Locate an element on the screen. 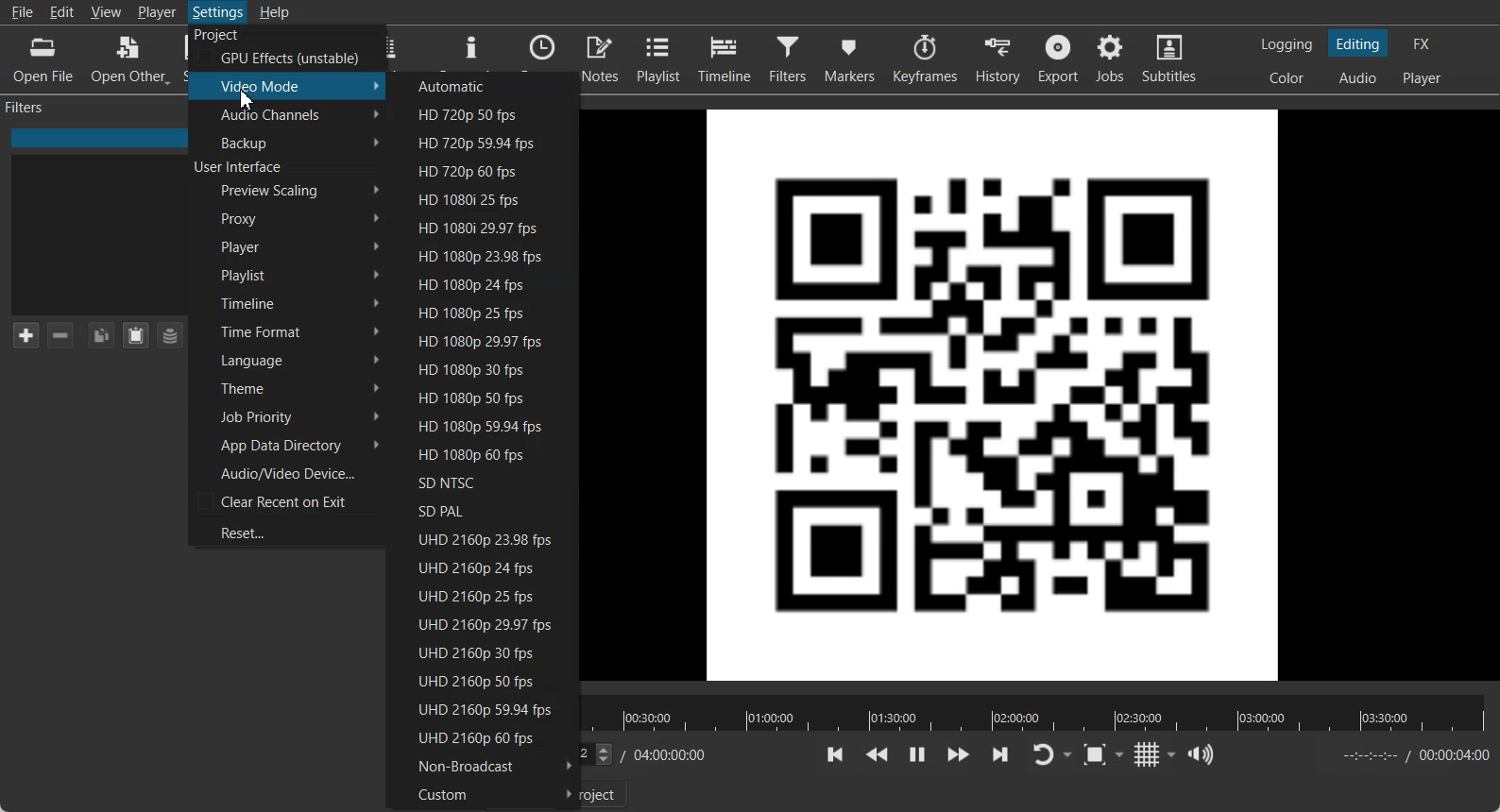  HD 1080p 23.98 fps is located at coordinates (479, 255).